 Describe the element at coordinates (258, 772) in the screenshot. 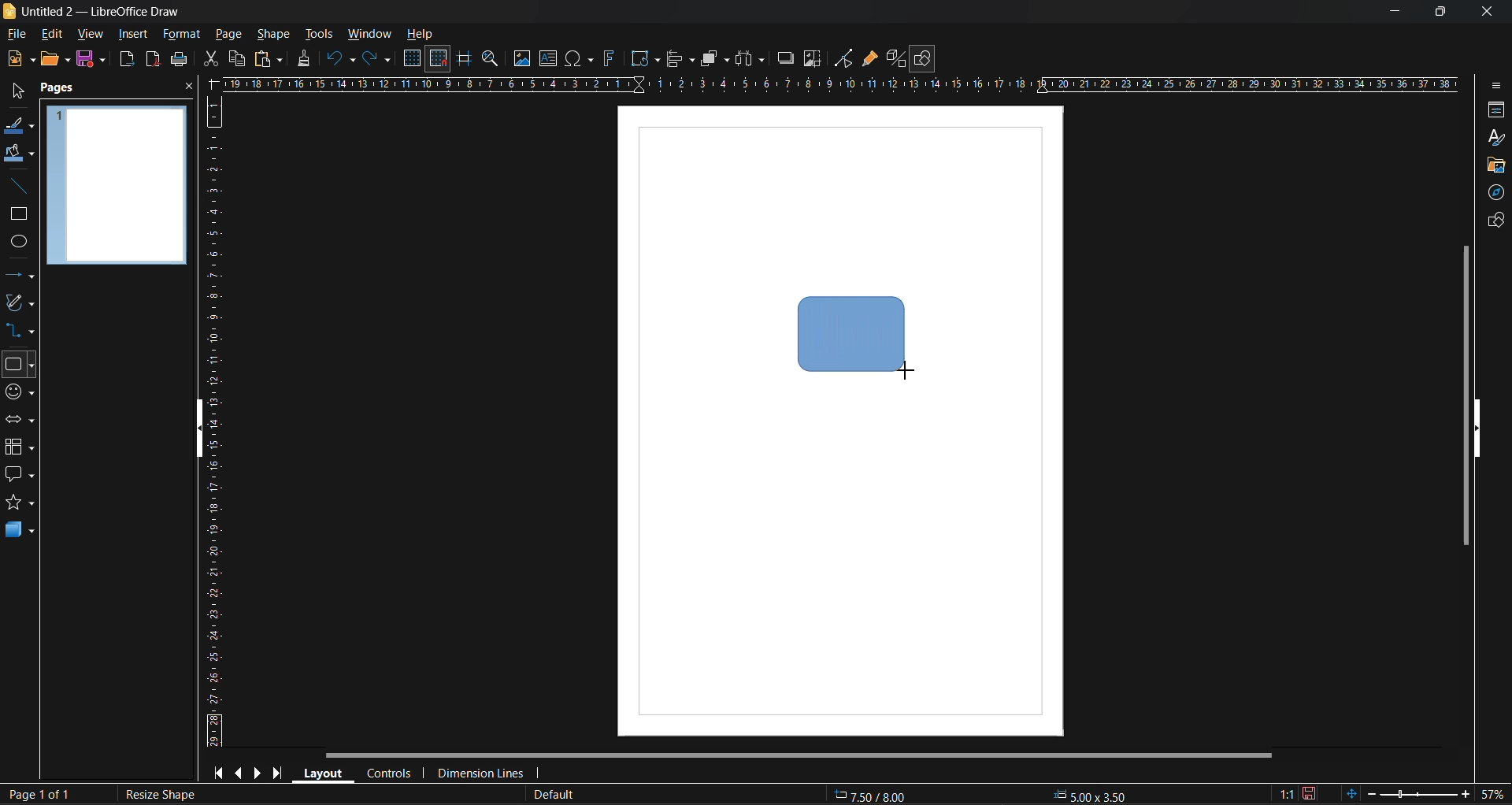

I see `next` at that location.